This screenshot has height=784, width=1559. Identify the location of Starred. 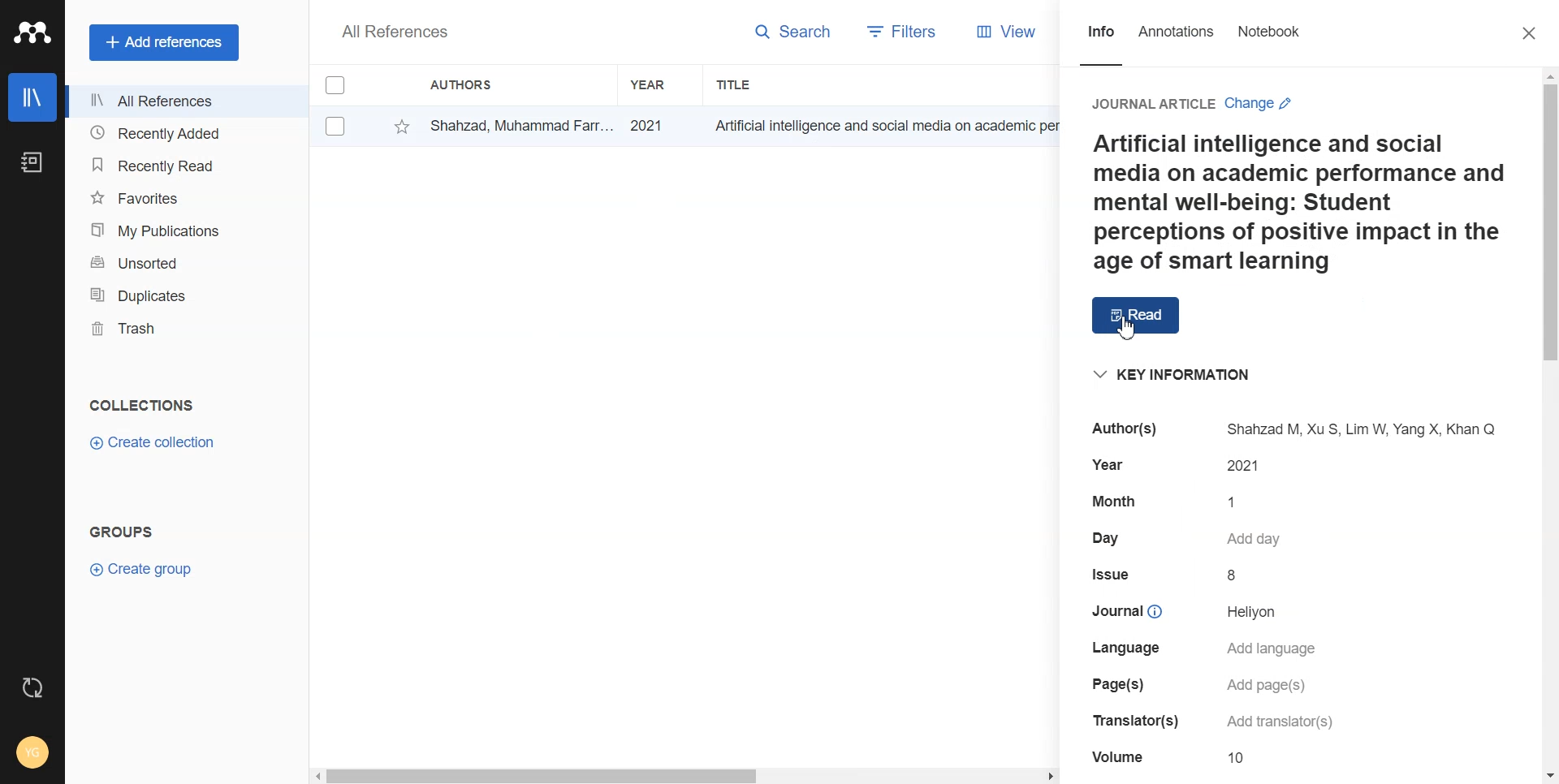
(402, 126).